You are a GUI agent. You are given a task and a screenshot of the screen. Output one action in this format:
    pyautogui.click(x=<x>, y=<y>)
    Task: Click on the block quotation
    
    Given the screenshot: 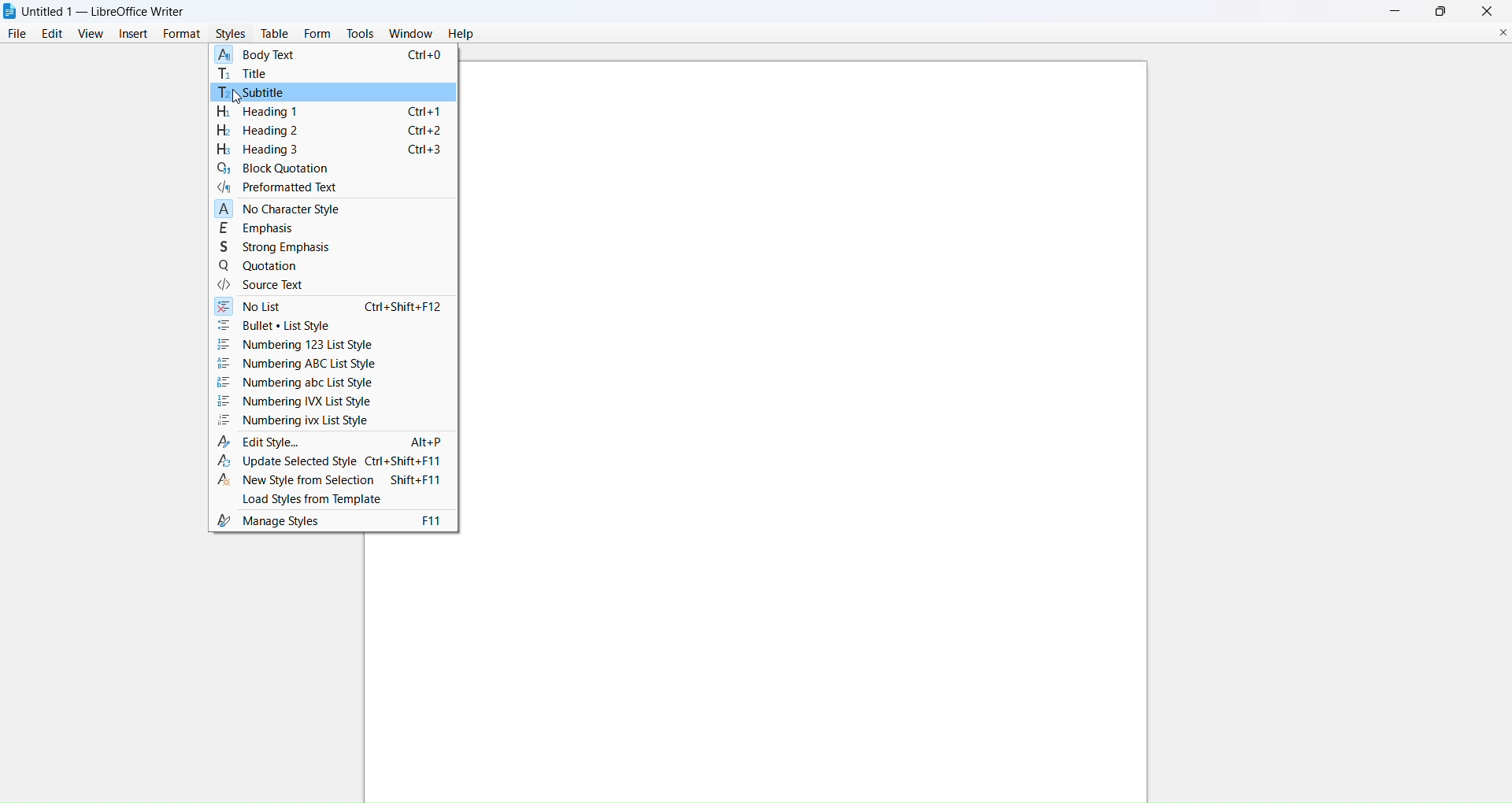 What is the action you would take?
    pyautogui.click(x=276, y=169)
    